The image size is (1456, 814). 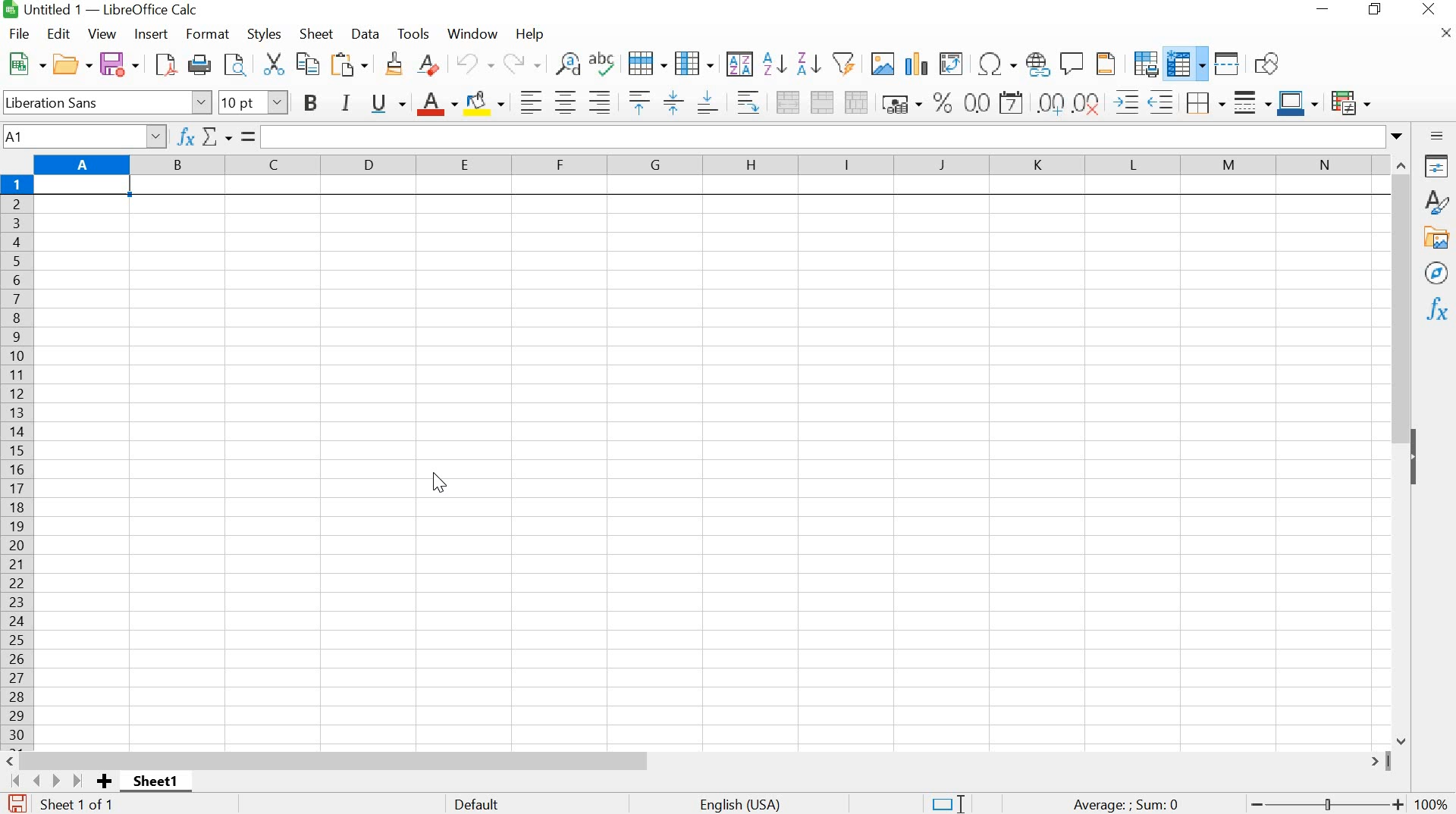 I want to click on BORDER STYLE, so click(x=1250, y=102).